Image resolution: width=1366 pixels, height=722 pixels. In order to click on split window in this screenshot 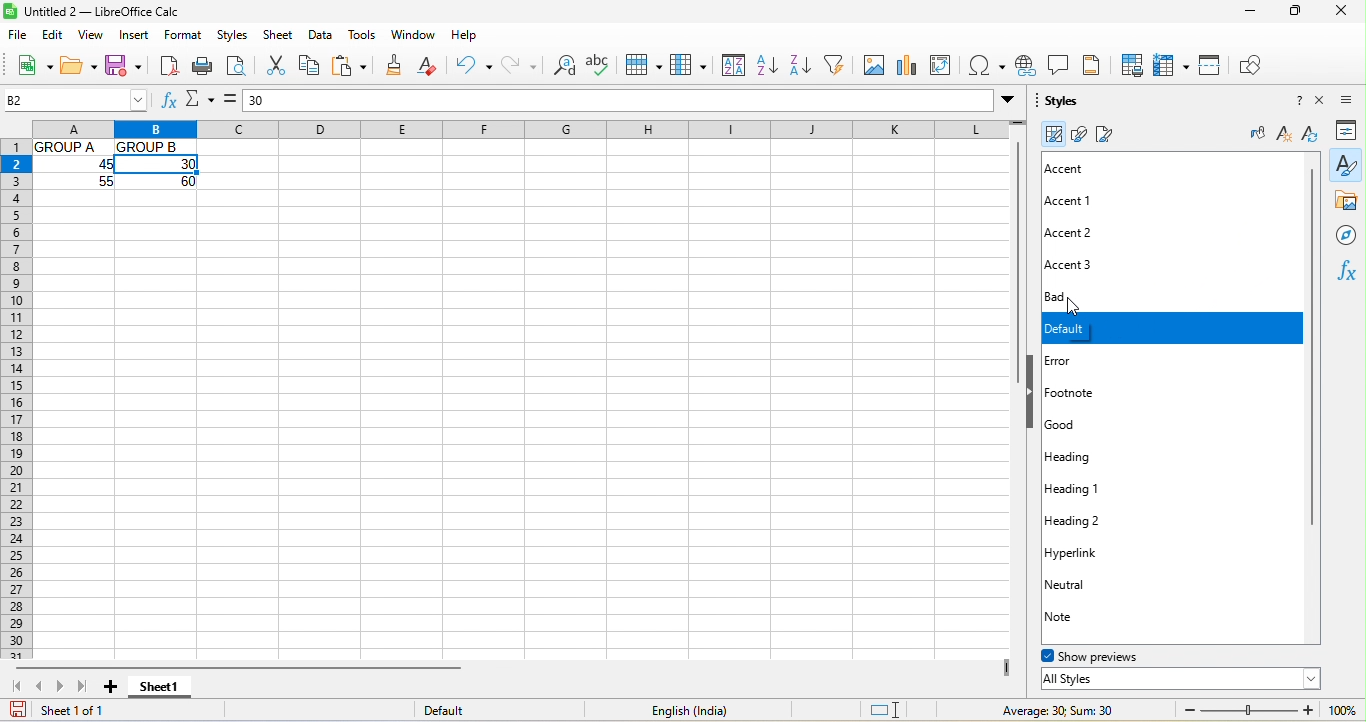, I will do `click(1212, 67)`.